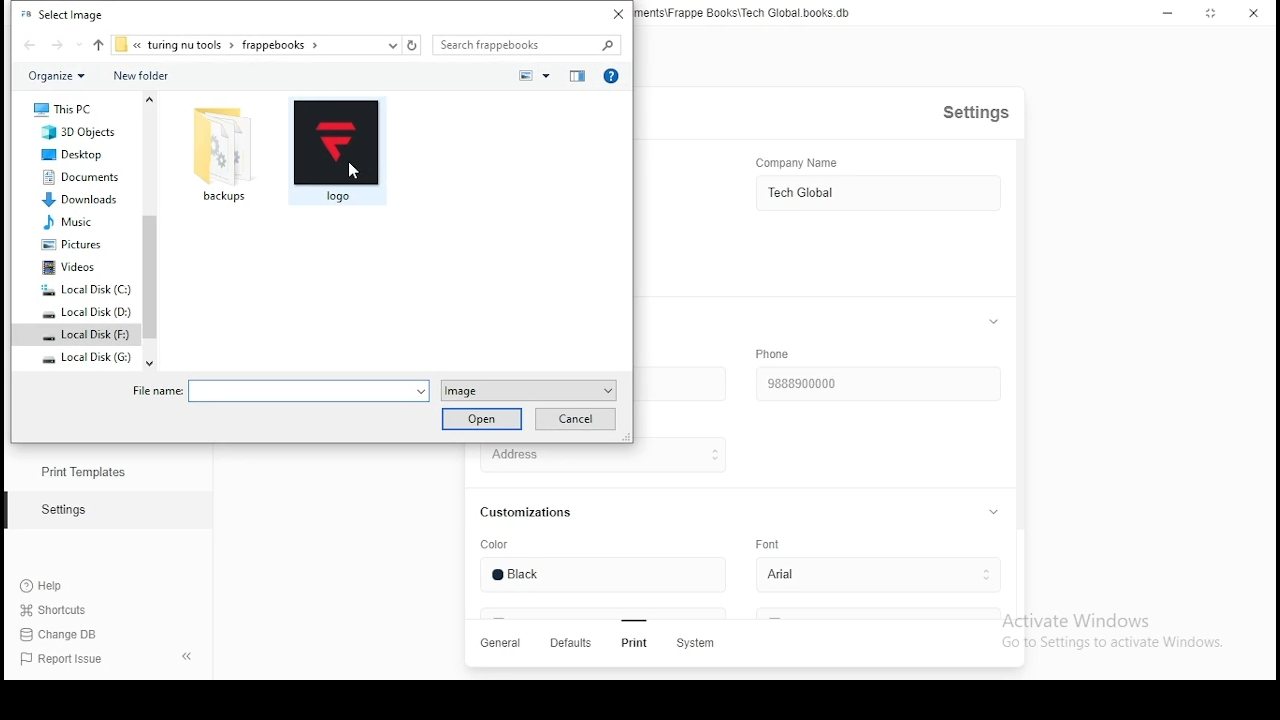  I want to click on Music , so click(75, 223).